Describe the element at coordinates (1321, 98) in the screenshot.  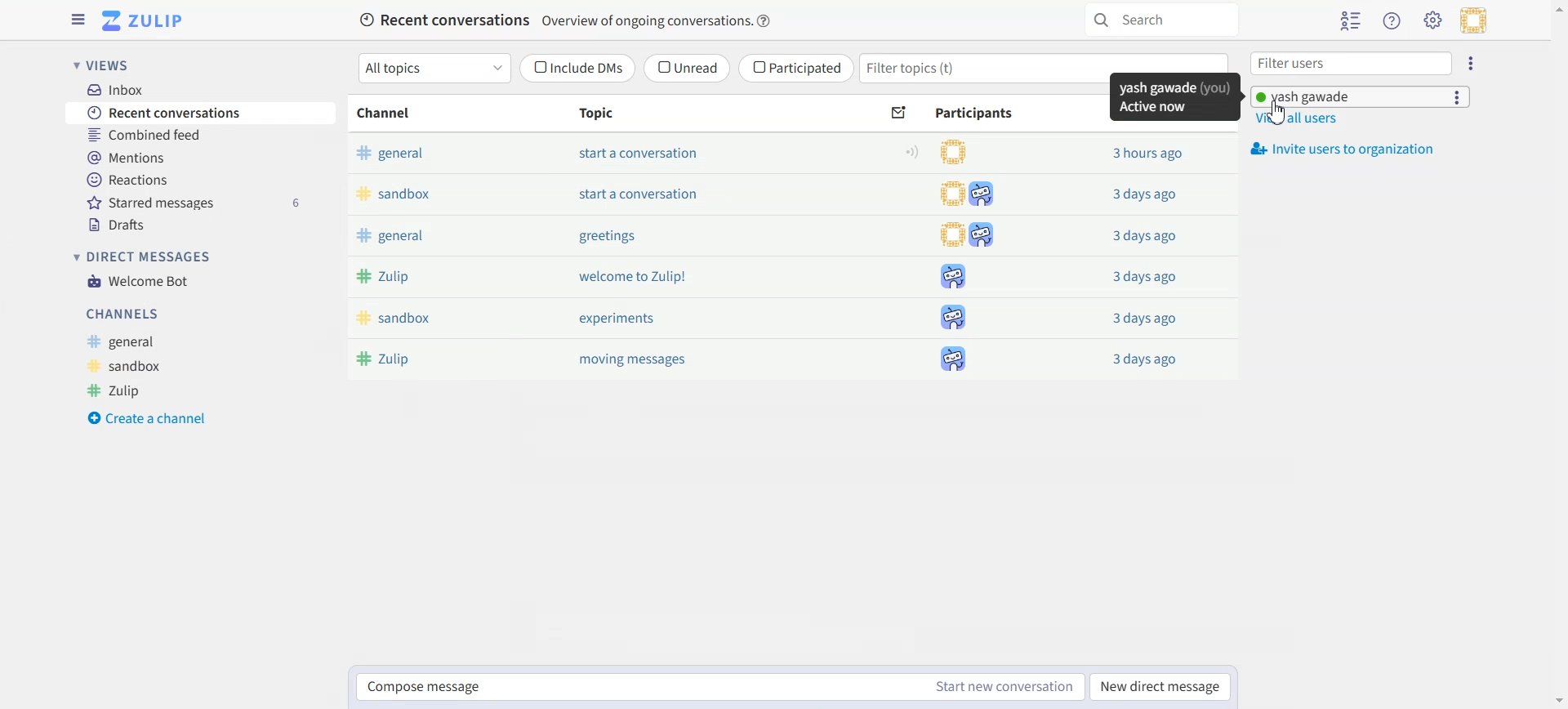
I see `yash gawade` at that location.